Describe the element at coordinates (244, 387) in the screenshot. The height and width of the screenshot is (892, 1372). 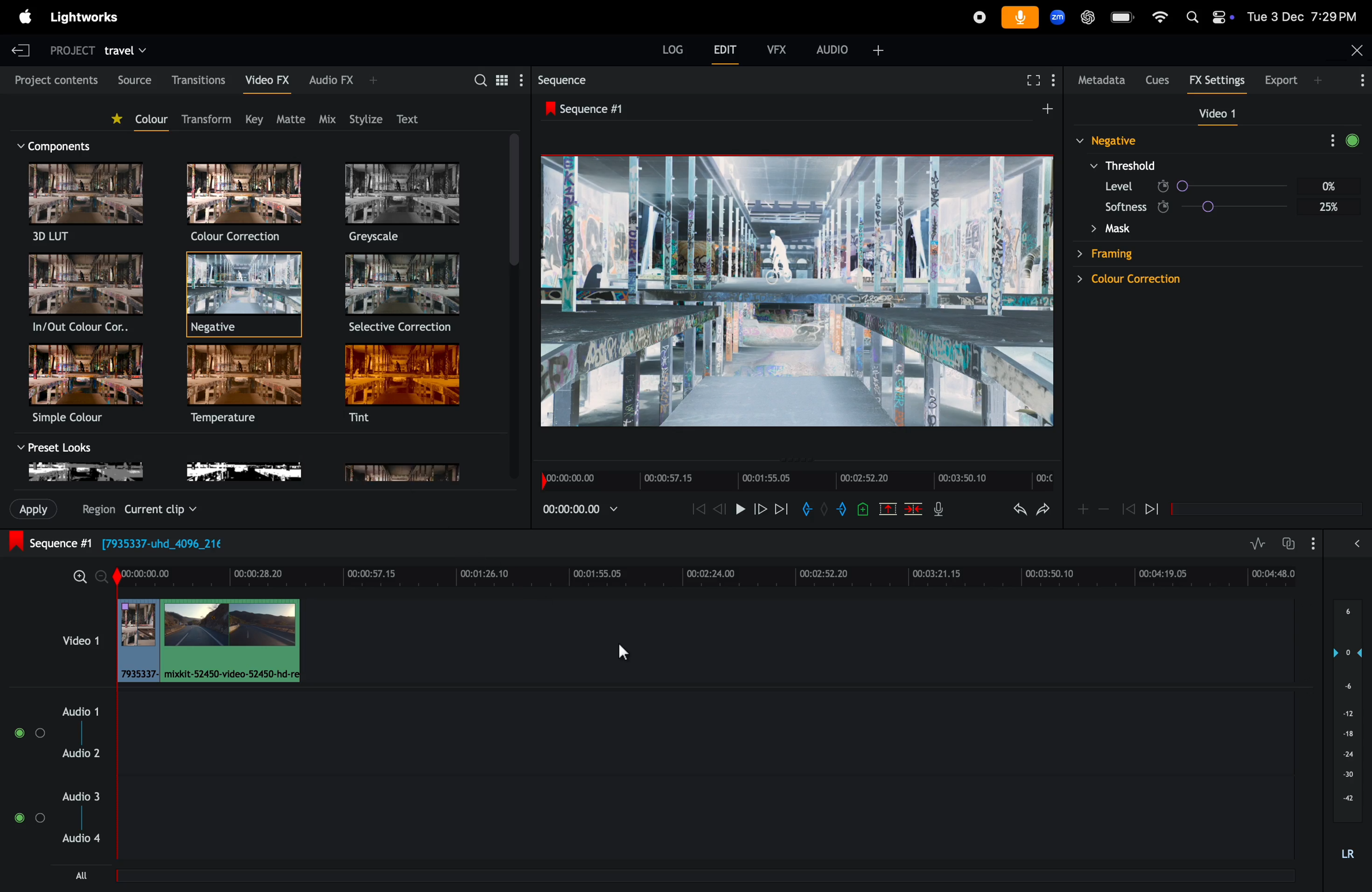
I see `temperature` at that location.